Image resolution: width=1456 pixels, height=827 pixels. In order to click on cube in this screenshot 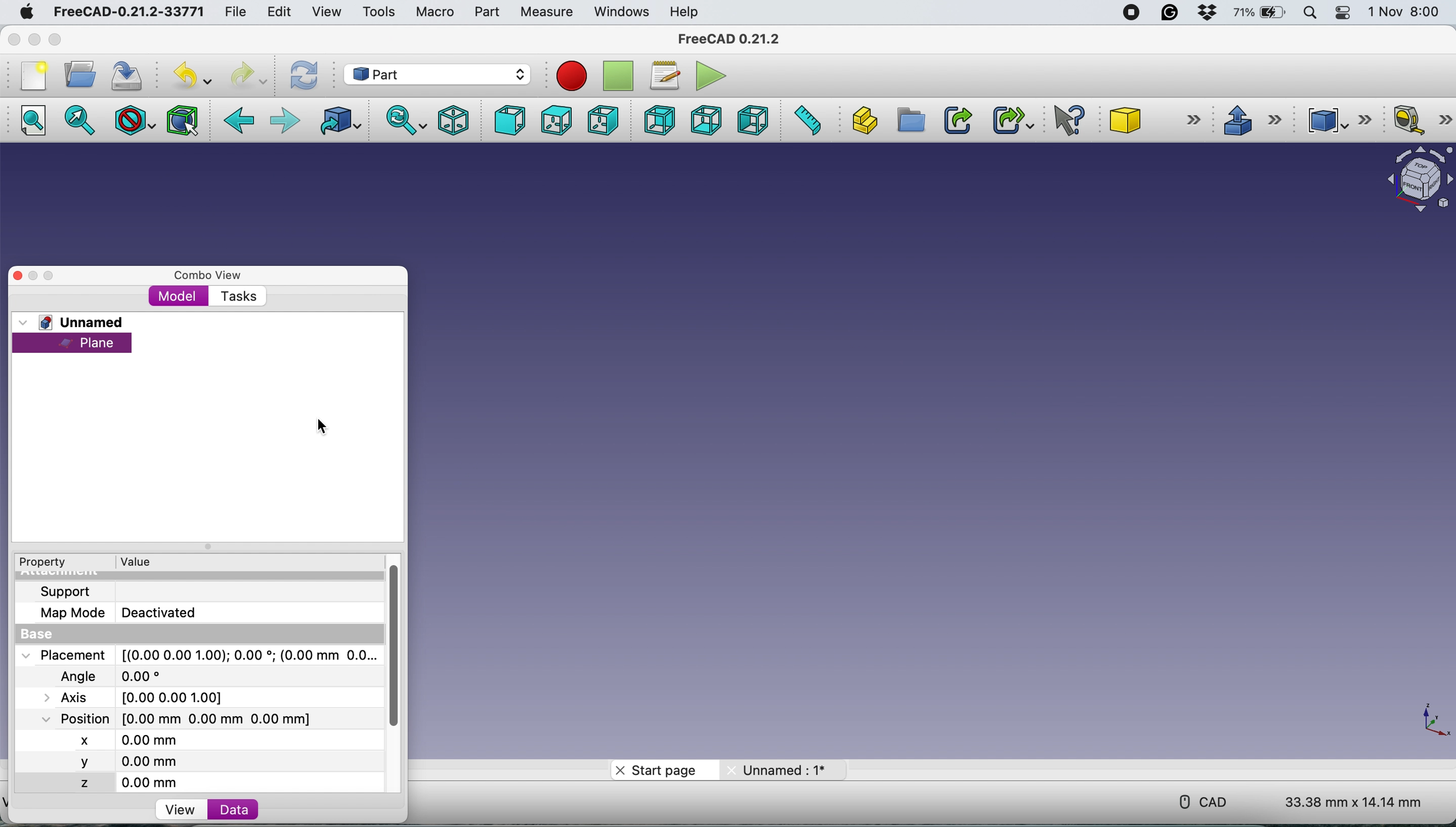, I will do `click(1154, 122)`.